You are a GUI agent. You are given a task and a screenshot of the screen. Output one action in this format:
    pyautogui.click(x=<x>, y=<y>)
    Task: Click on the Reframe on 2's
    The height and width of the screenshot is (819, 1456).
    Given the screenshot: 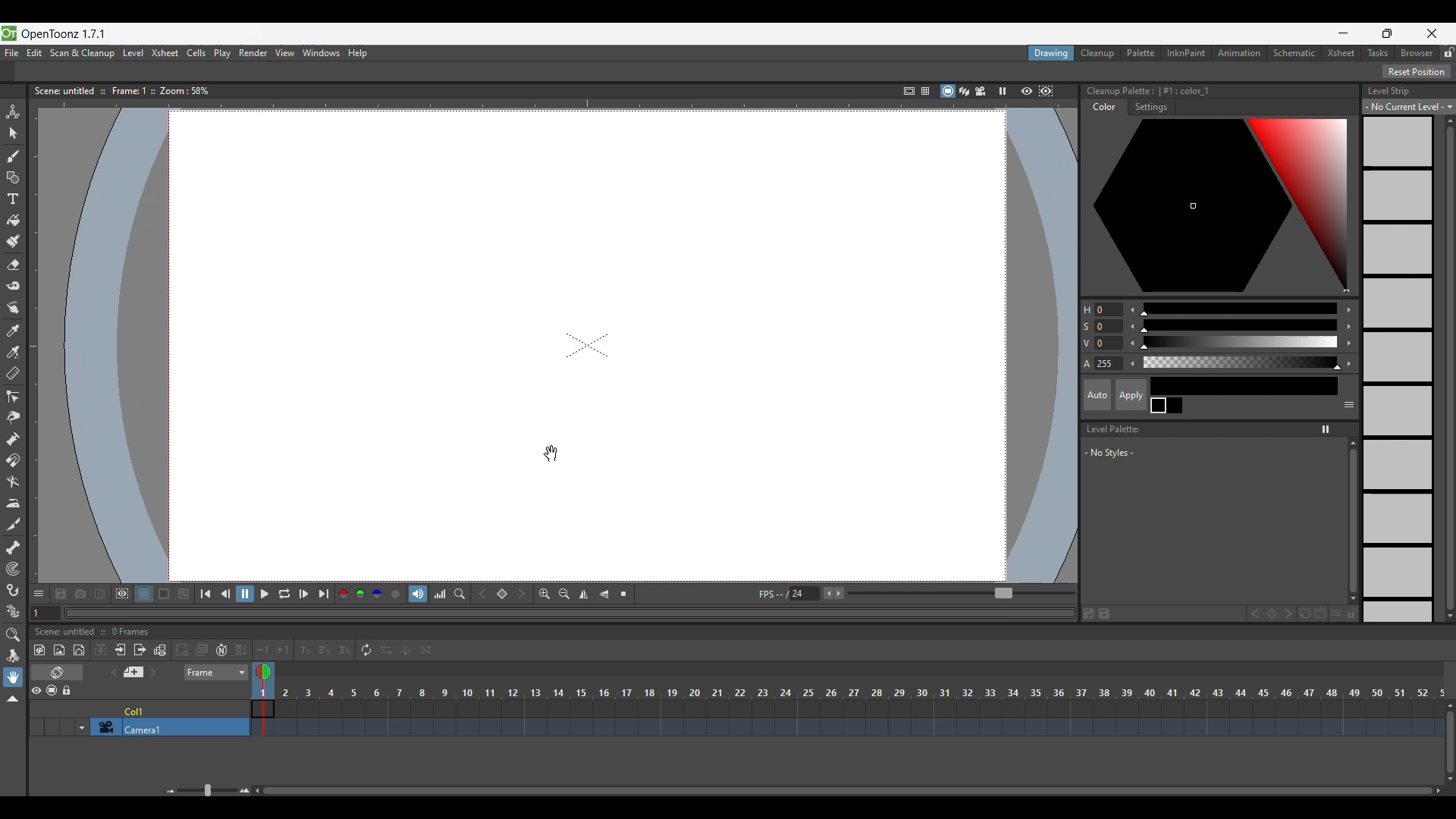 What is the action you would take?
    pyautogui.click(x=325, y=650)
    